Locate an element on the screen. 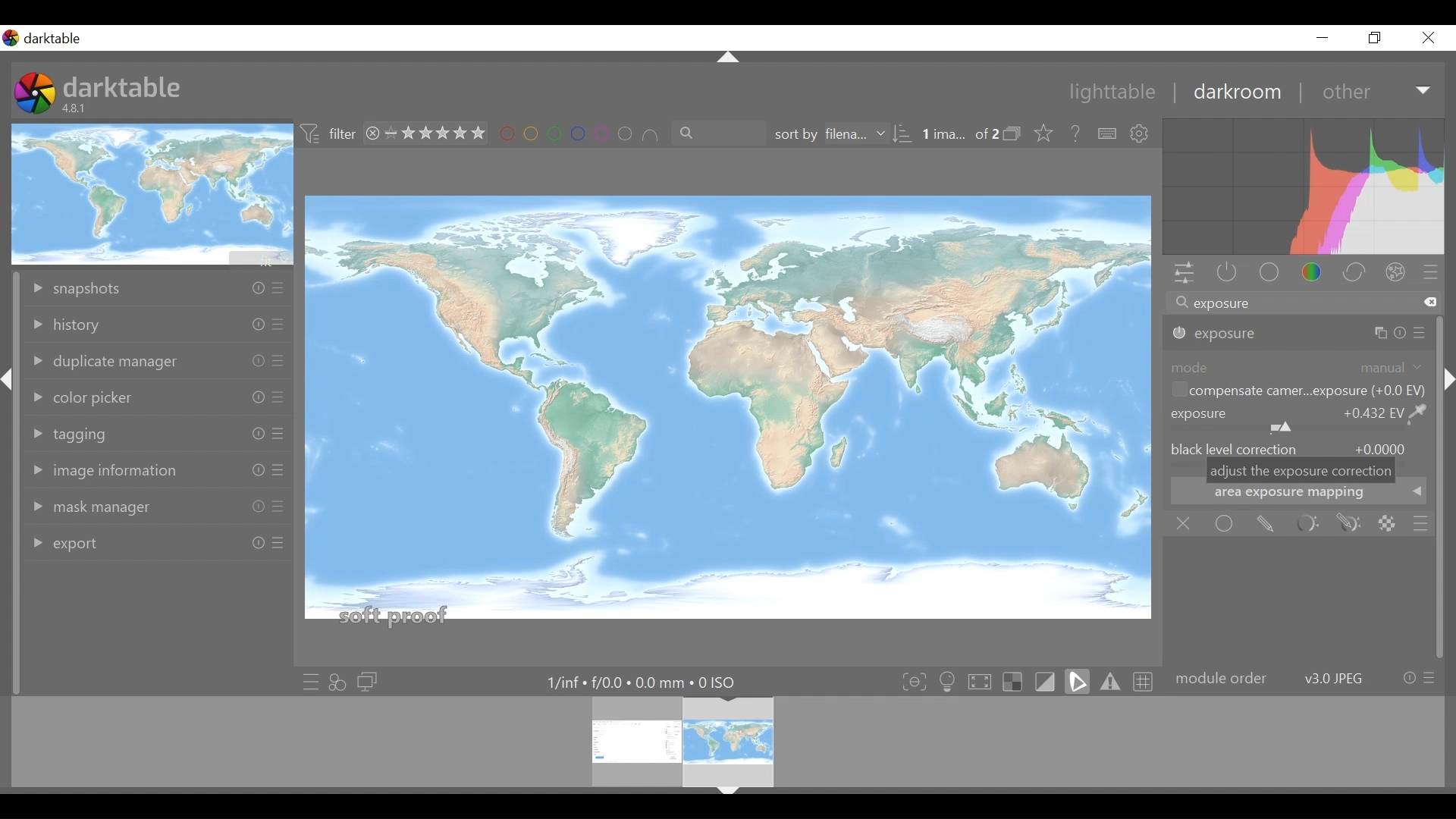 The width and height of the screenshot is (1456, 819).  is located at coordinates (728, 795).